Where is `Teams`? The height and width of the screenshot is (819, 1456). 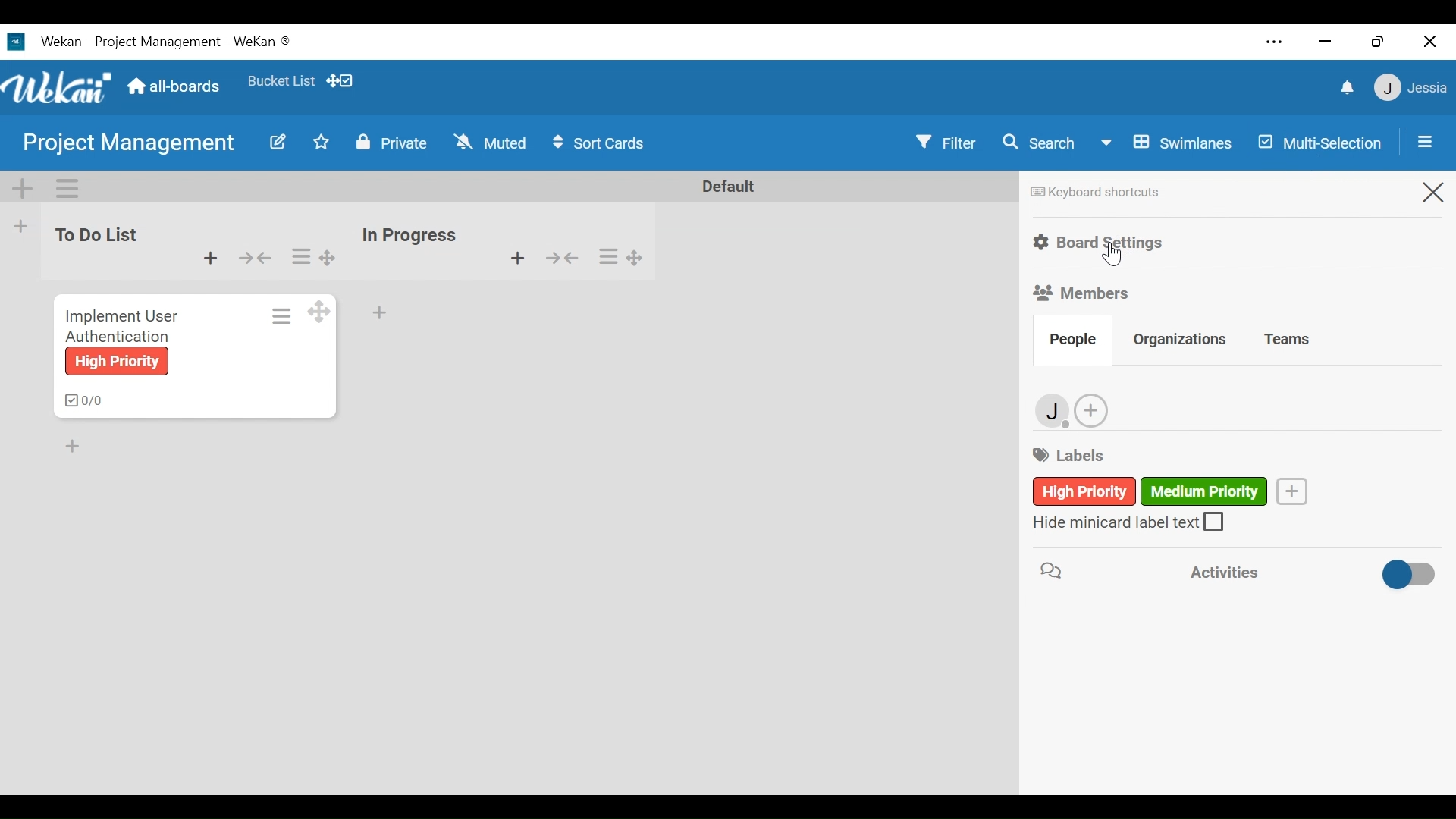
Teams is located at coordinates (1288, 338).